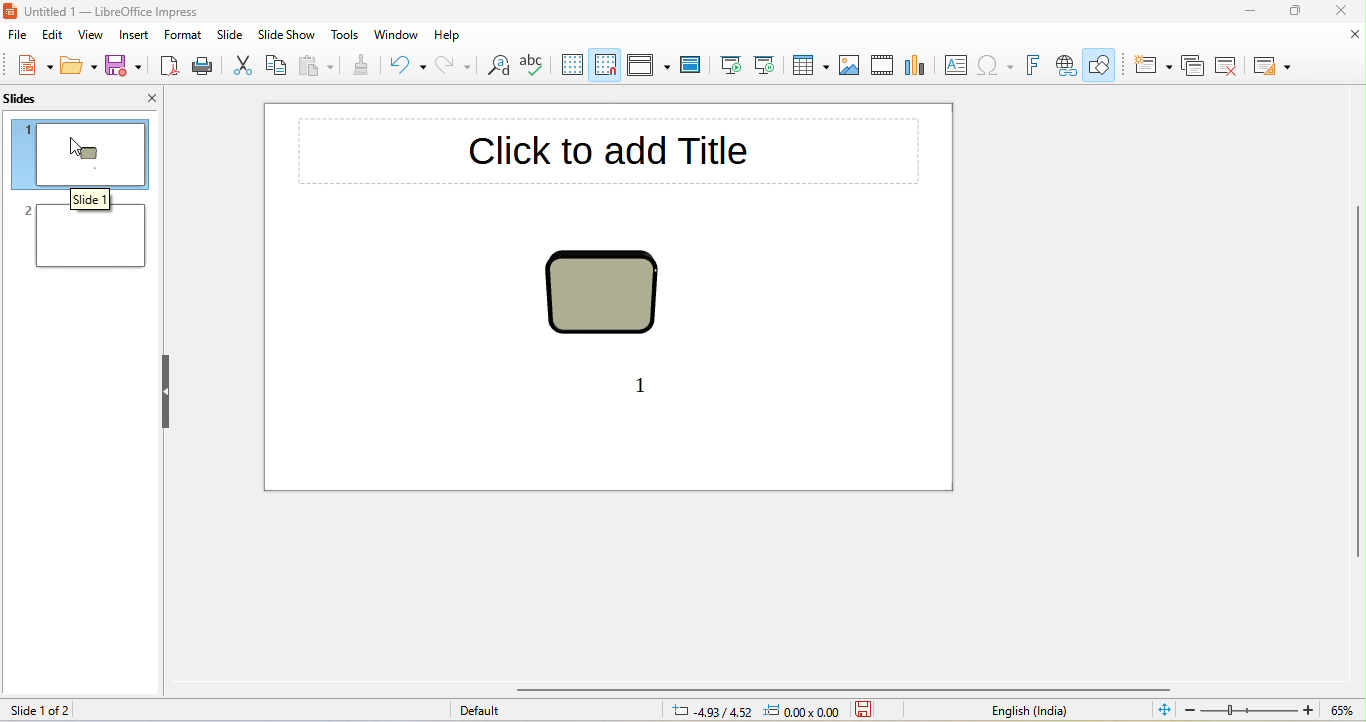  Describe the element at coordinates (75, 711) in the screenshot. I see `slide 1 of 2` at that location.